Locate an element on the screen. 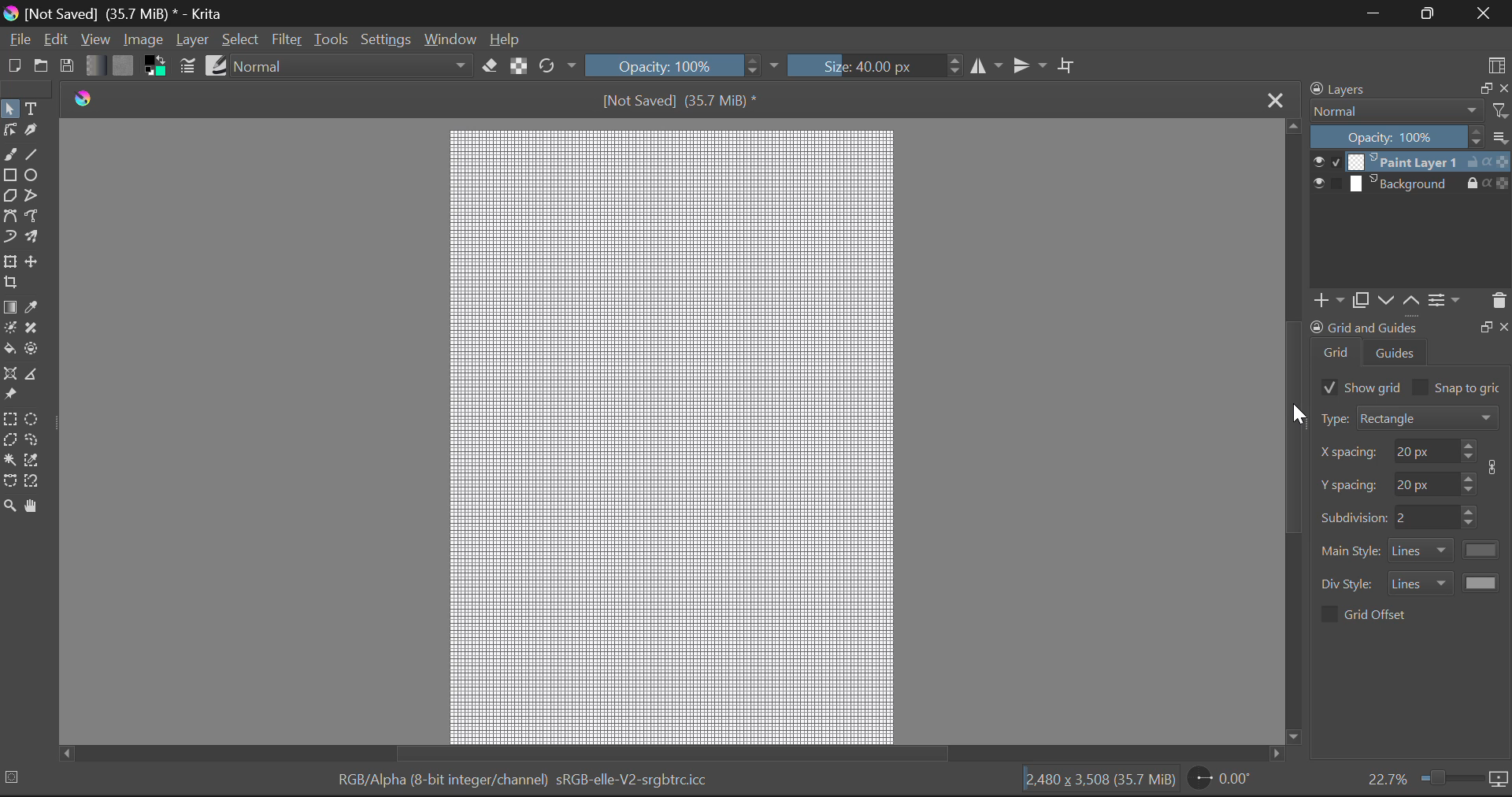 The width and height of the screenshot is (1512, 797). div style is located at coordinates (1349, 584).